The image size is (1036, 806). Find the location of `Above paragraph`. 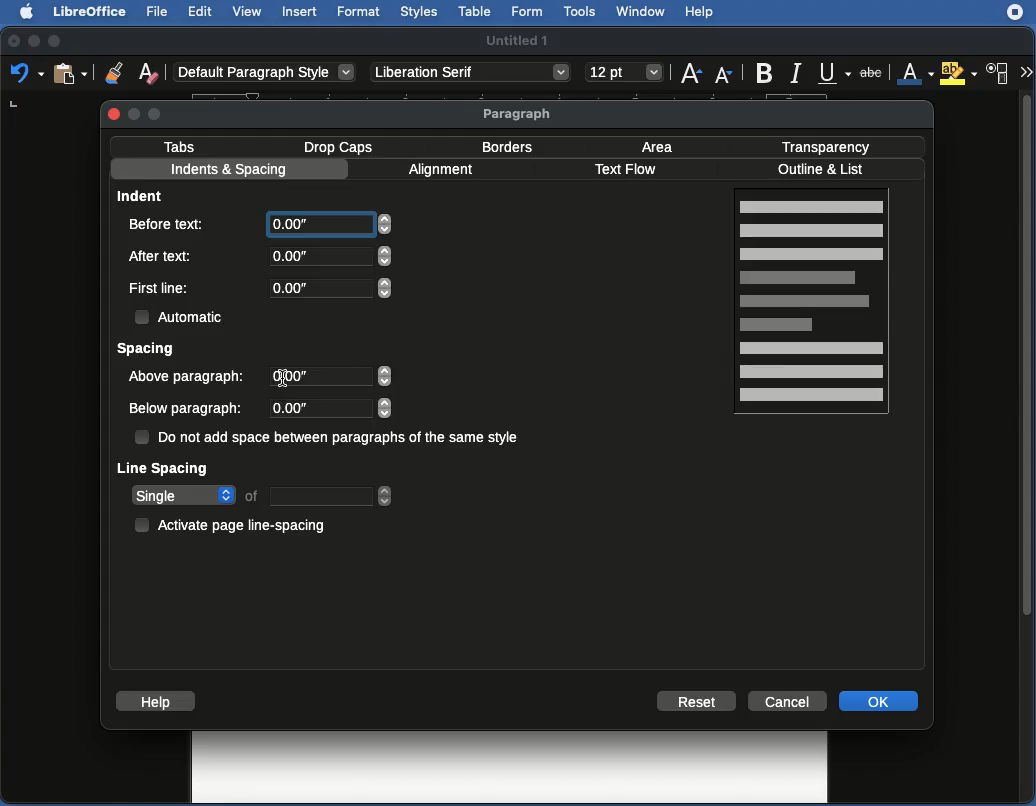

Above paragraph is located at coordinates (189, 376).